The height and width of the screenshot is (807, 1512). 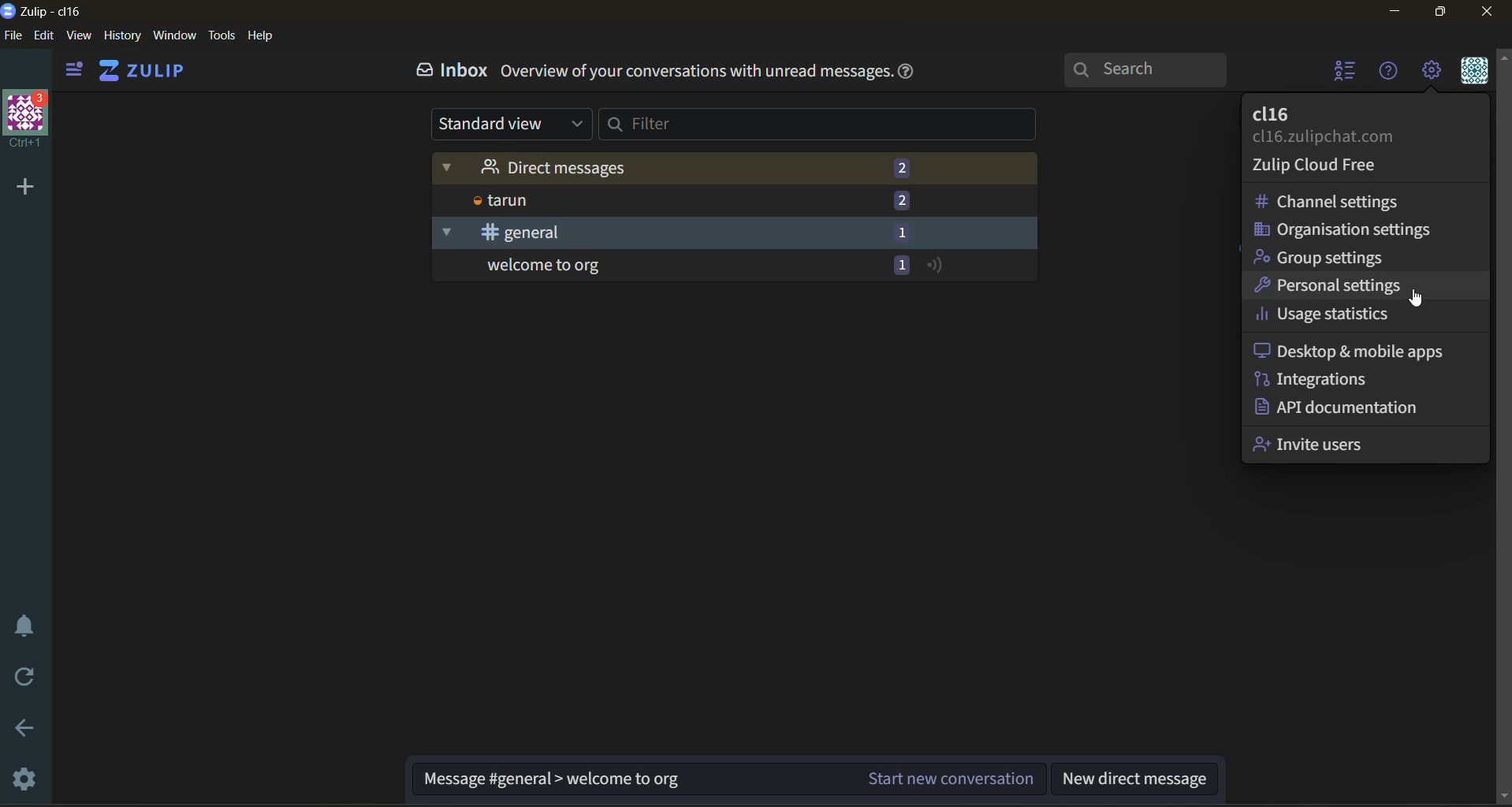 I want to click on hide sidebar, so click(x=70, y=73).